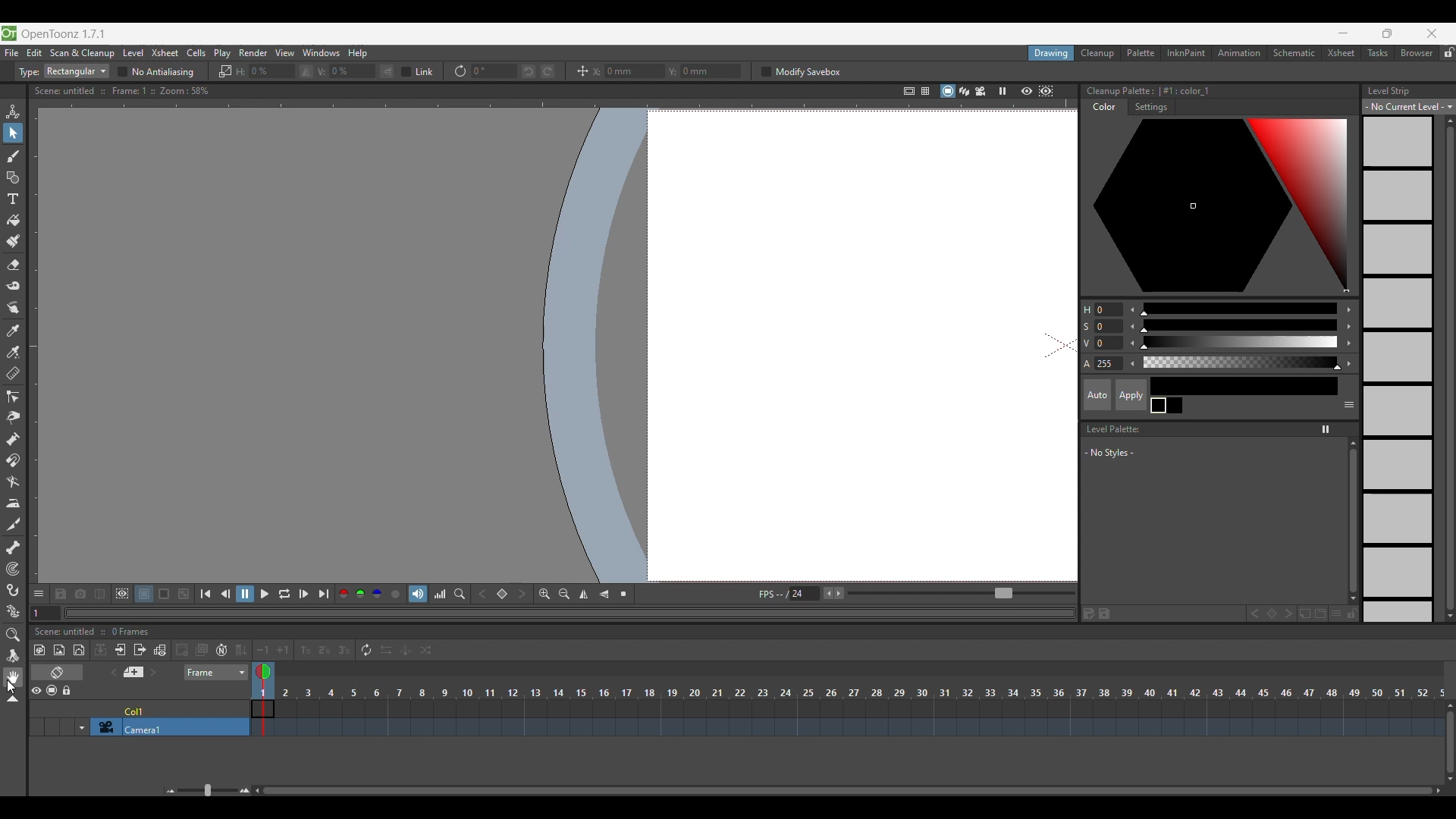 Image resolution: width=1456 pixels, height=819 pixels. Describe the element at coordinates (923, 91) in the screenshot. I see `=§-1` at that location.